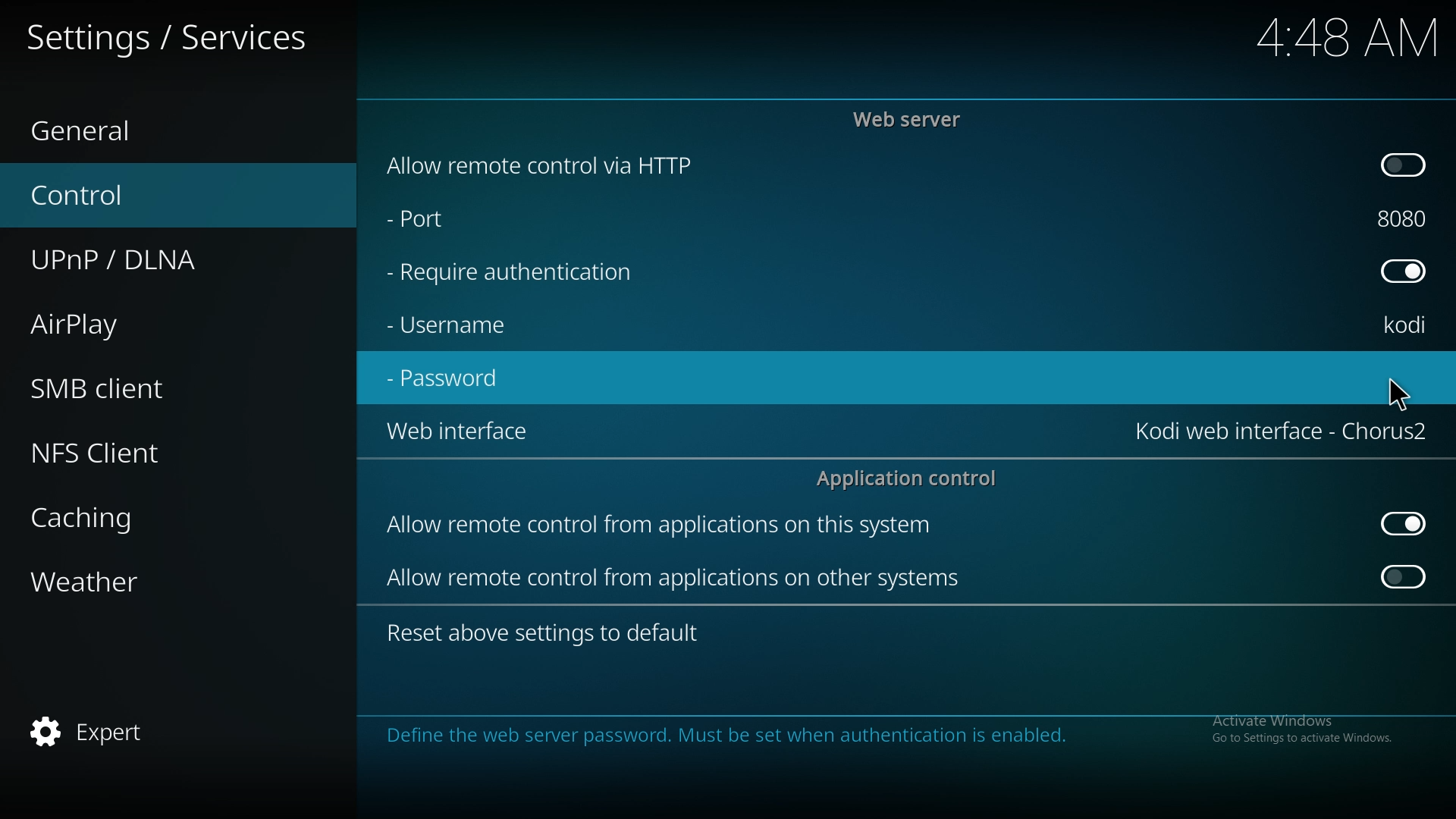 This screenshot has height=819, width=1456. What do you see at coordinates (1409, 218) in the screenshot?
I see `port` at bounding box center [1409, 218].